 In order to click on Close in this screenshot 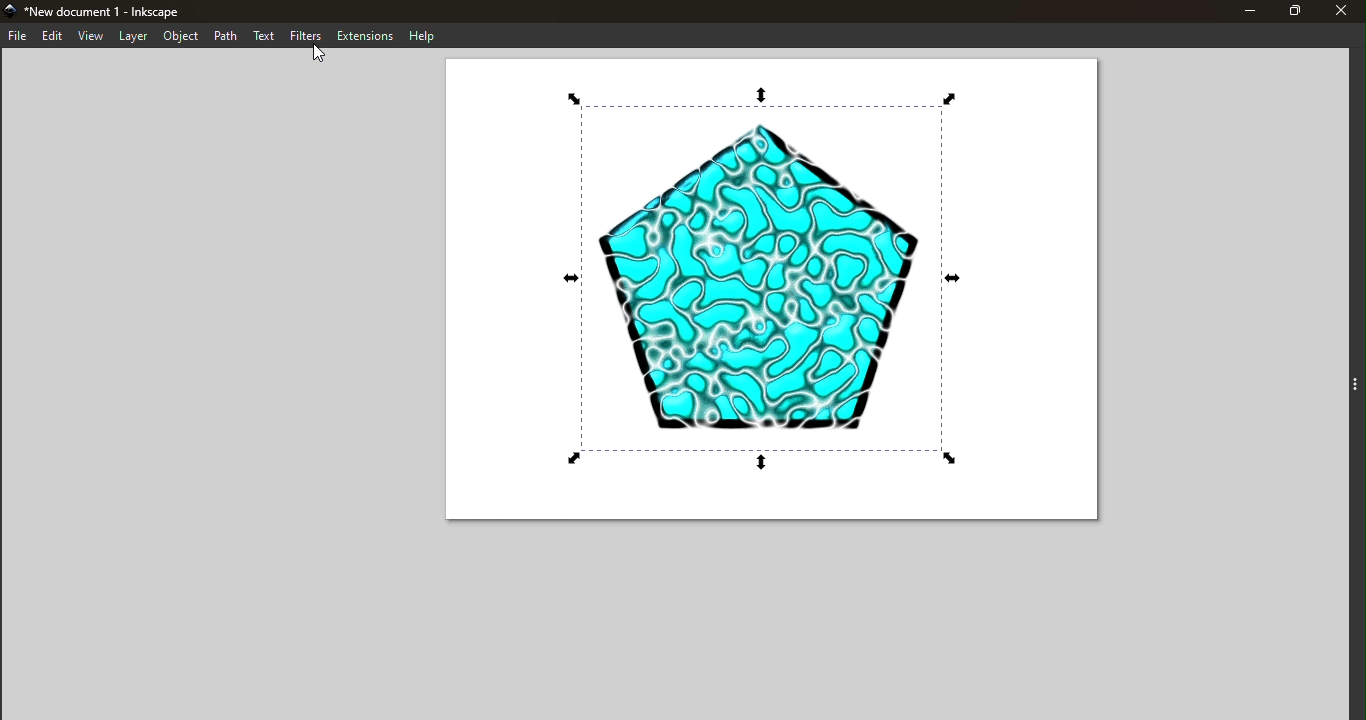, I will do `click(1345, 11)`.